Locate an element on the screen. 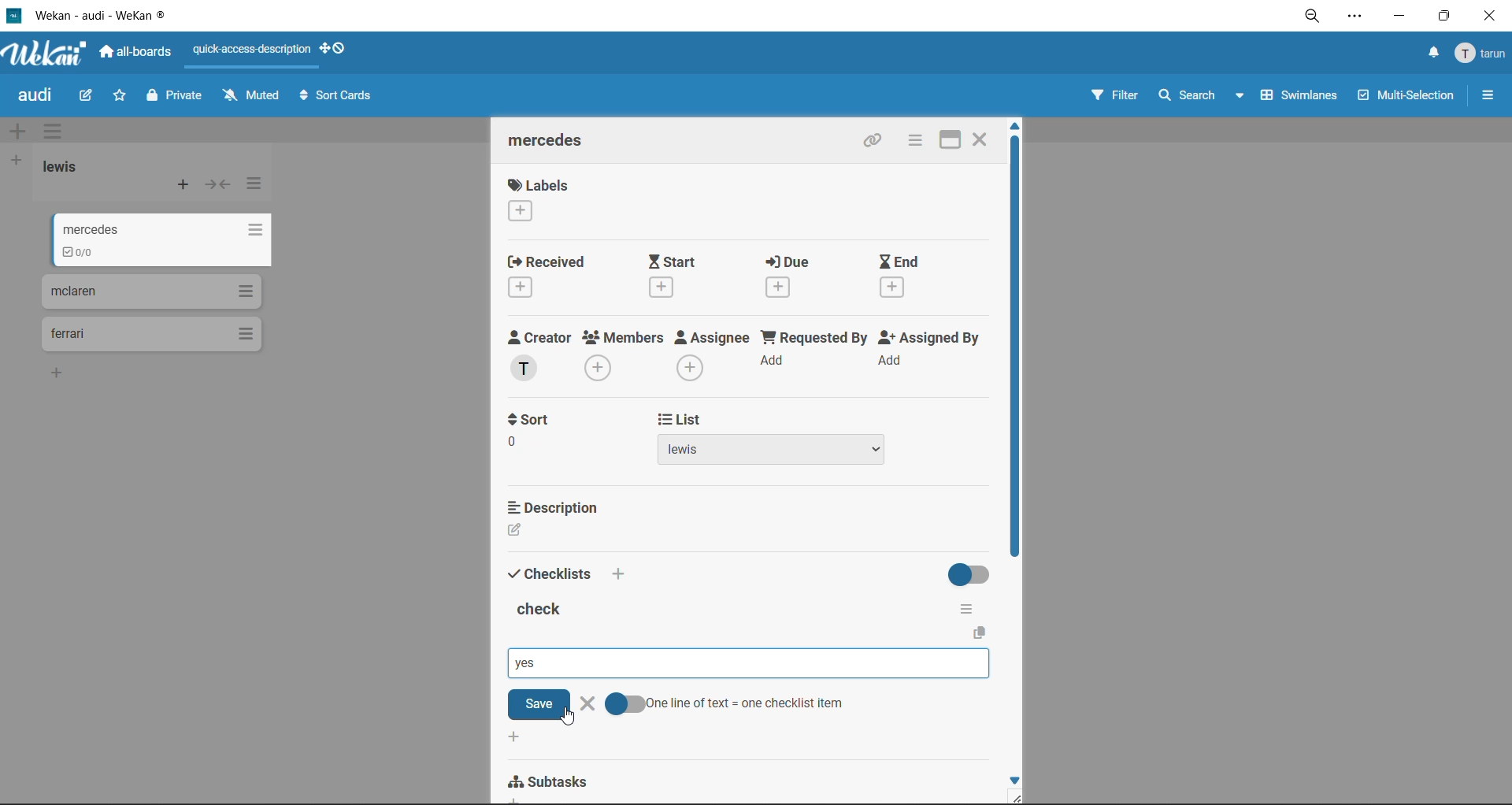 This screenshot has width=1512, height=805. delete is located at coordinates (589, 703).